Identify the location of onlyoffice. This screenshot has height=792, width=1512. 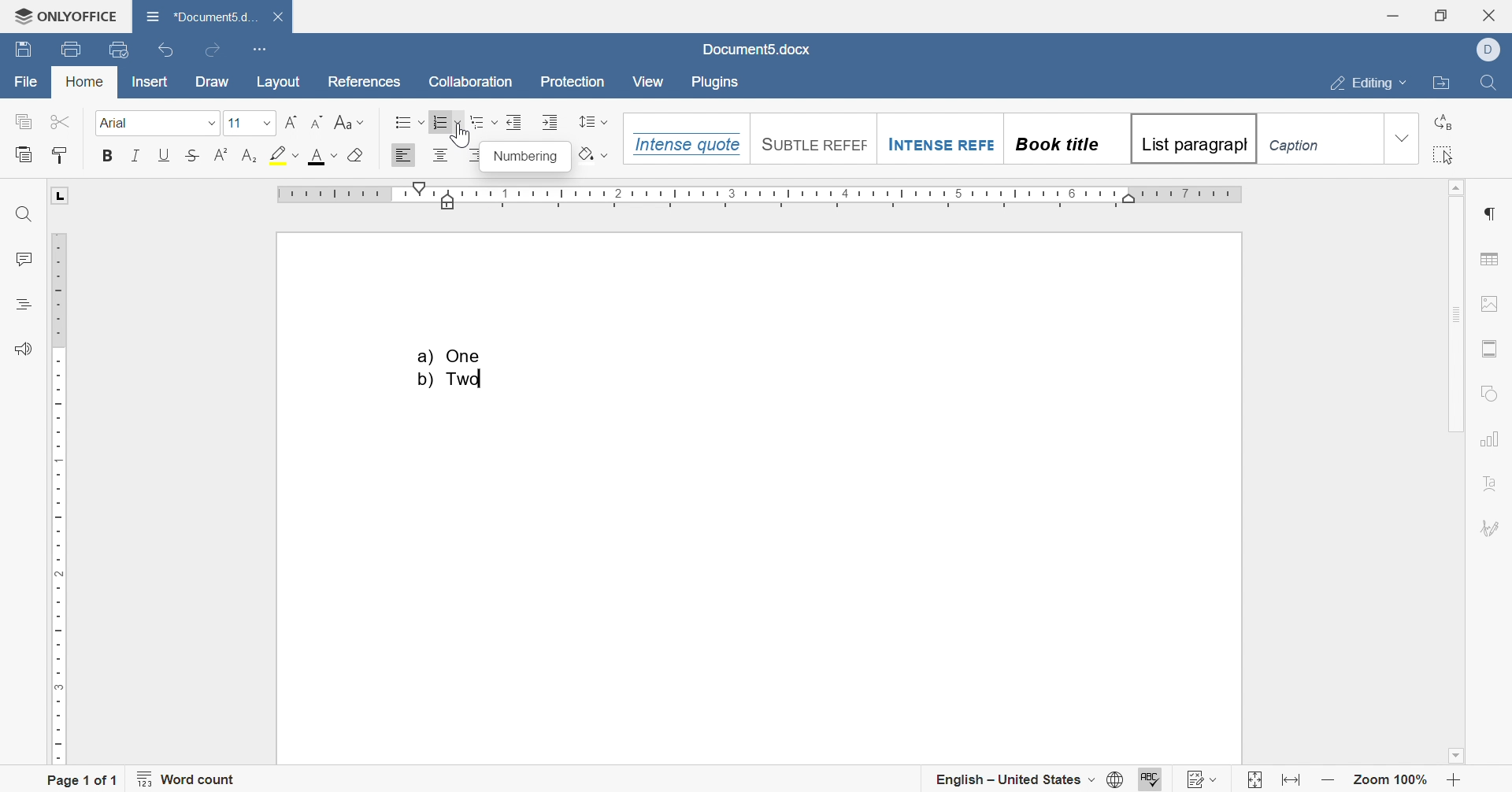
(66, 17).